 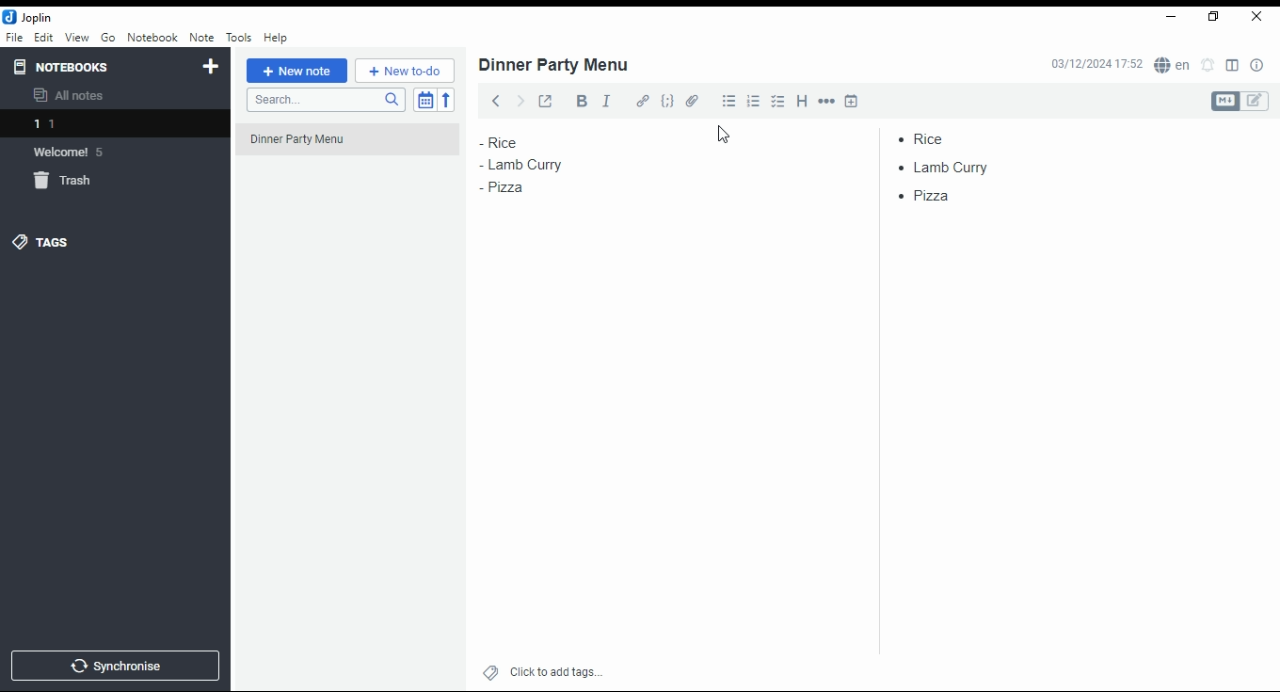 What do you see at coordinates (211, 67) in the screenshot?
I see `new notebook` at bounding box center [211, 67].